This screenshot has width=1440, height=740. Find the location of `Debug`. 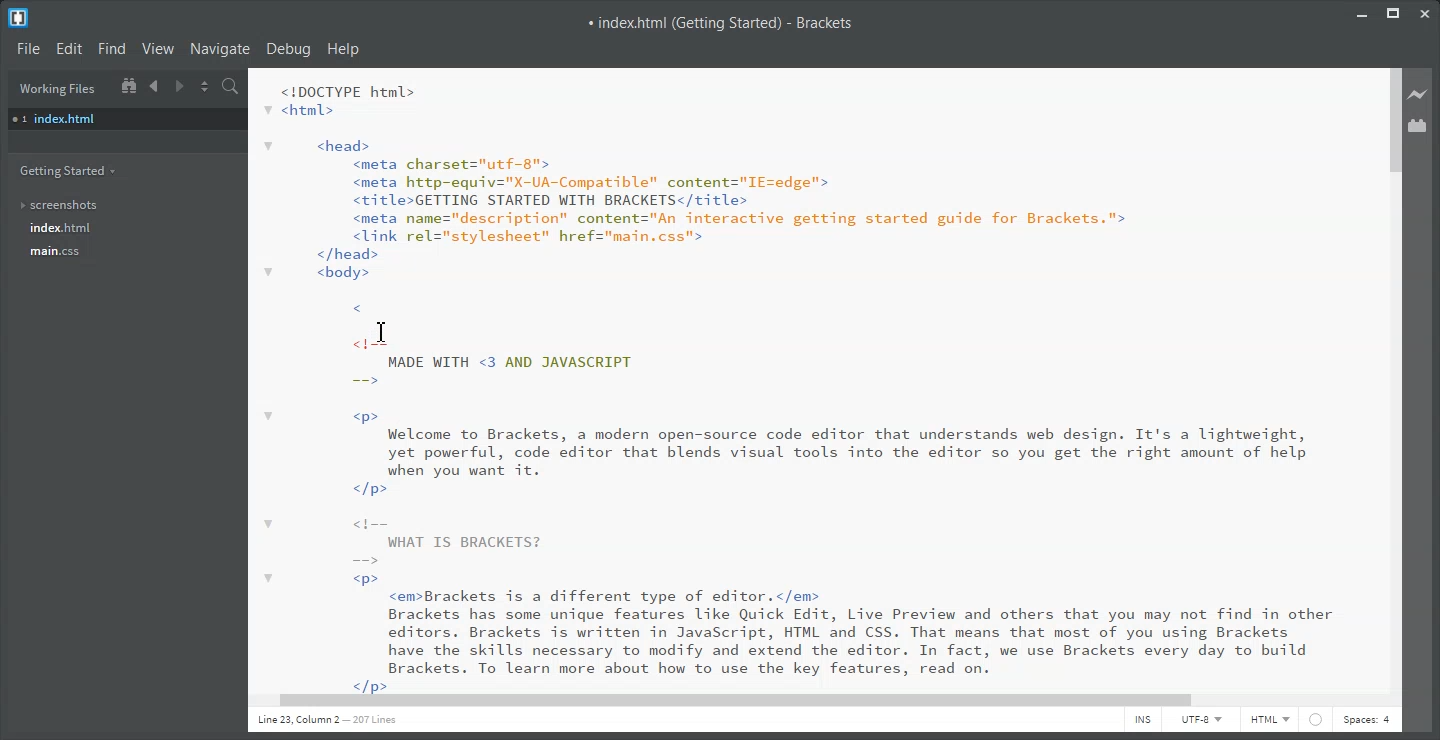

Debug is located at coordinates (290, 49).